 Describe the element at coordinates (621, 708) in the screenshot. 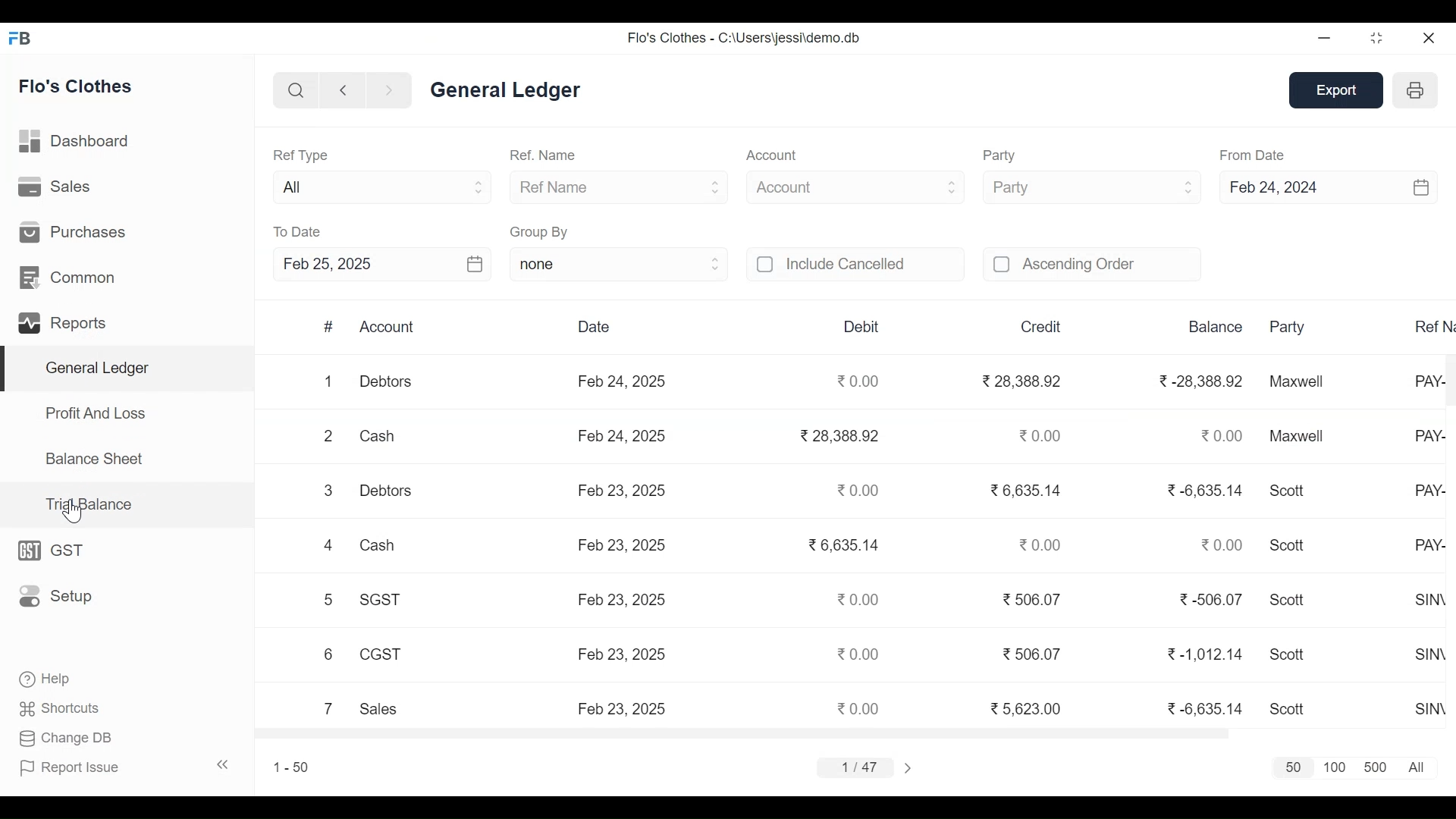

I see `Feb 23, 2025` at that location.